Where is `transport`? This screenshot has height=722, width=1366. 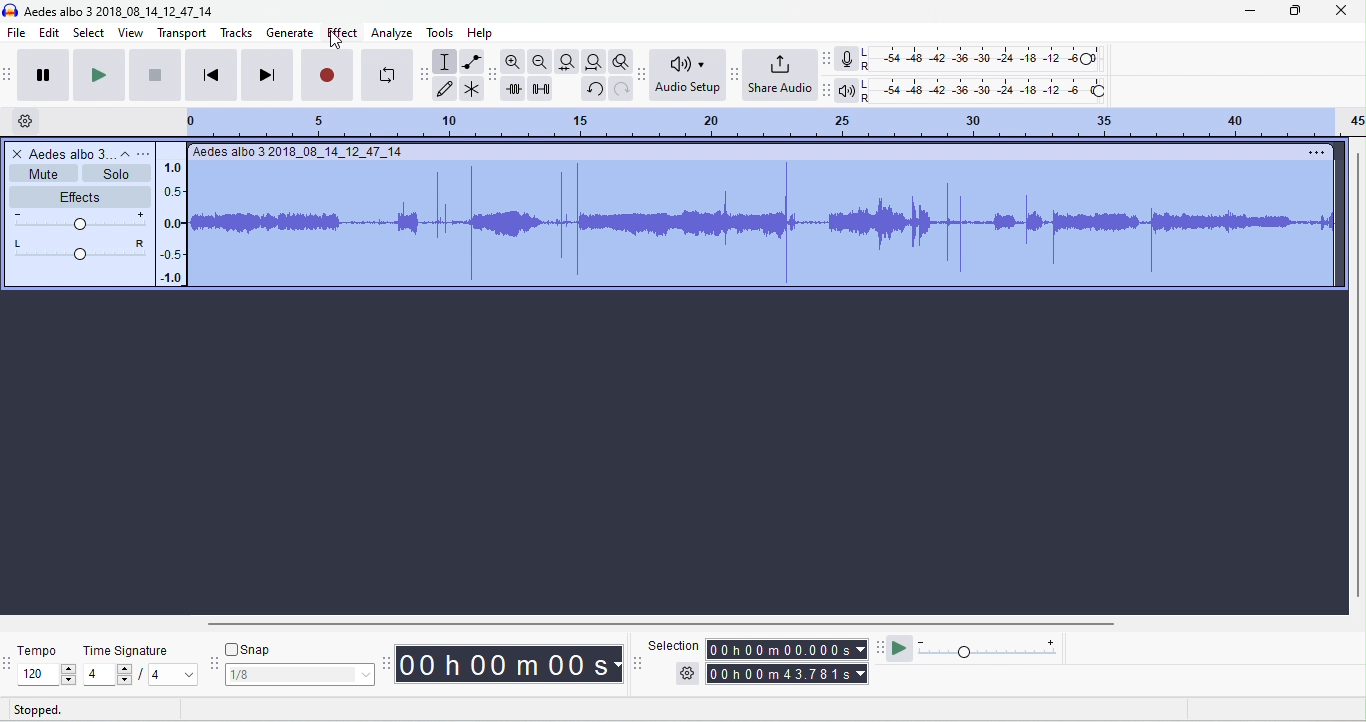 transport is located at coordinates (180, 33).